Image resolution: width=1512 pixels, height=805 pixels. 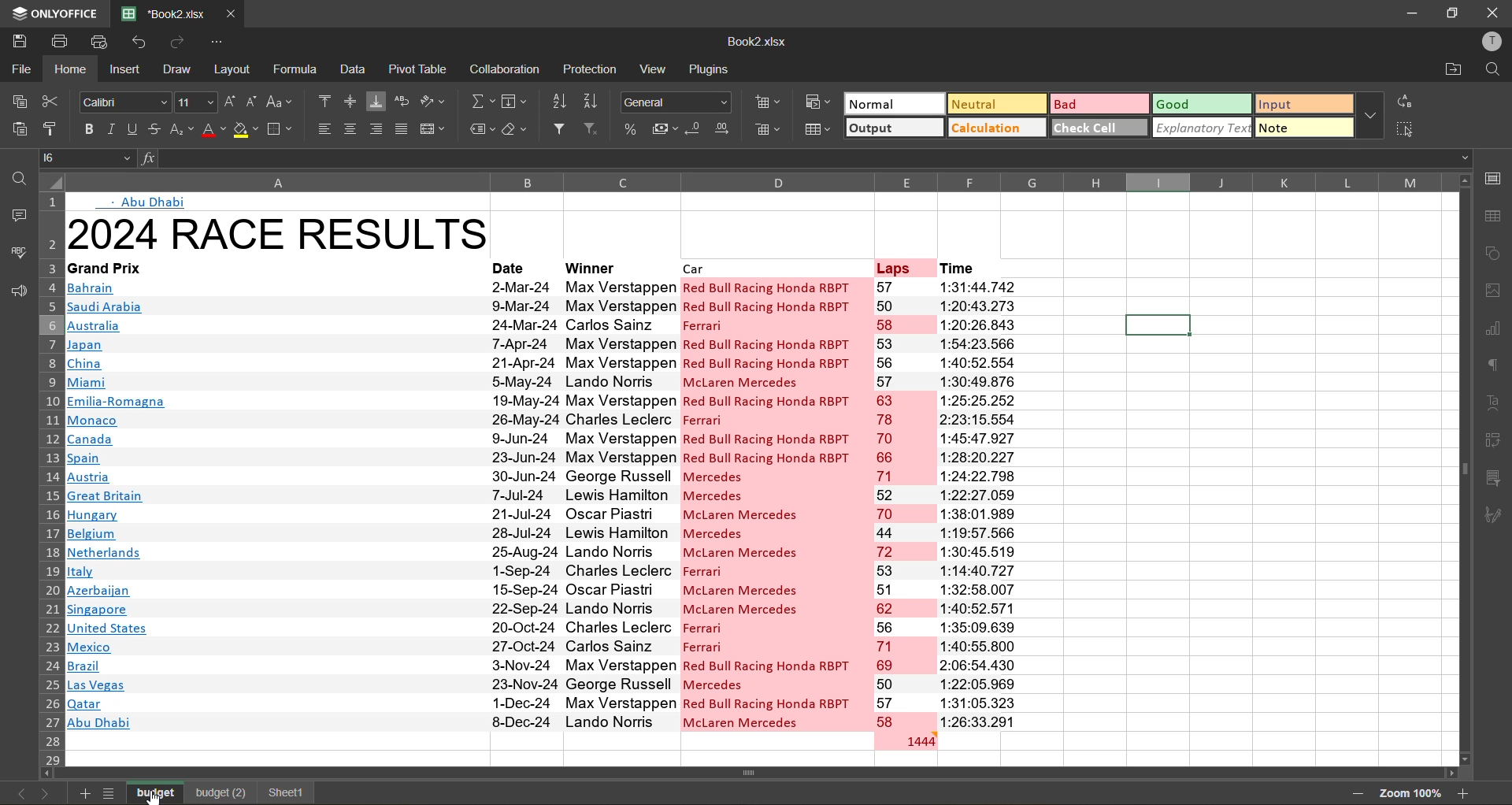 I want to click on check cell, so click(x=1099, y=127).